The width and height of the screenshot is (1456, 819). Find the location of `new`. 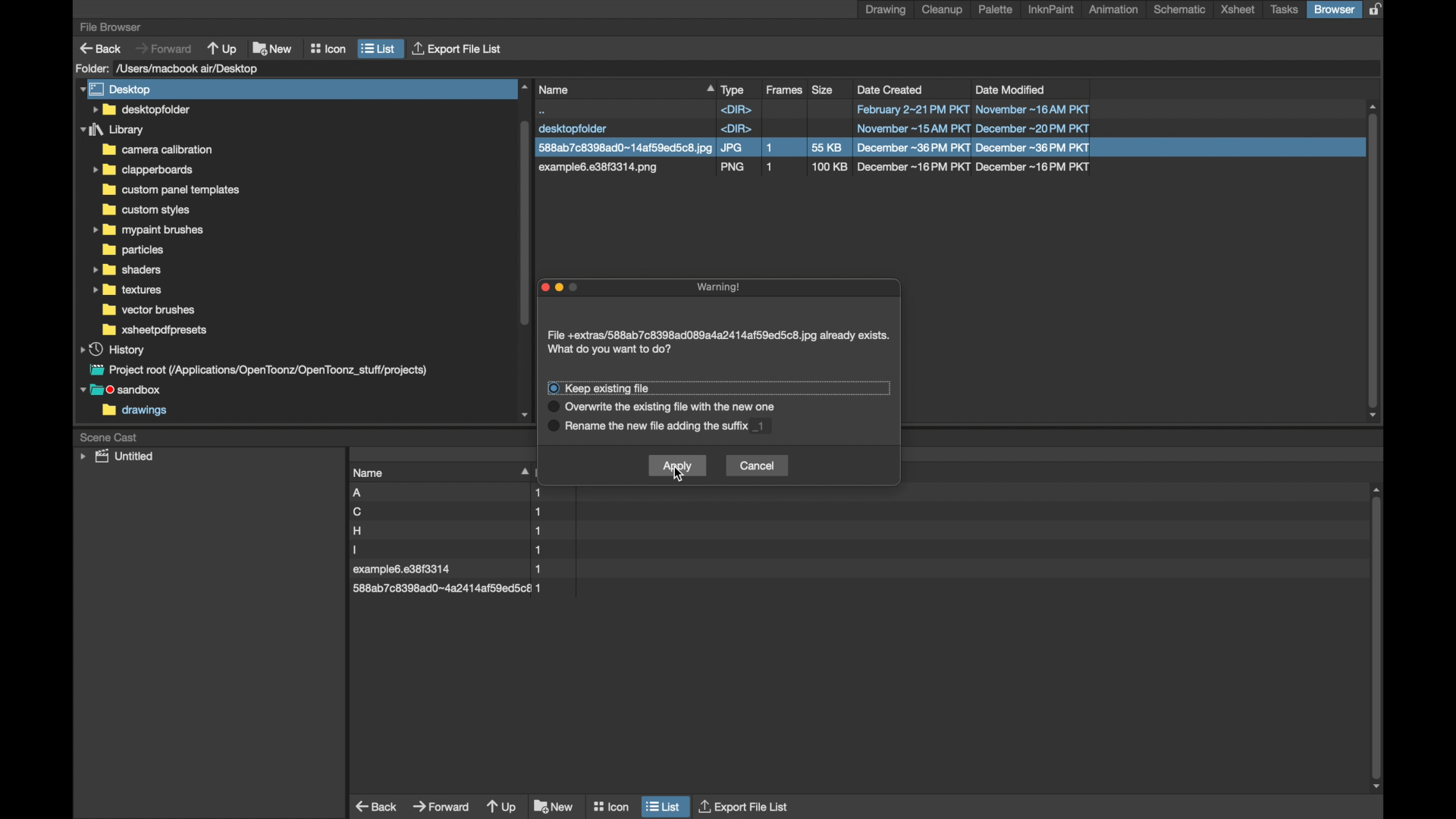

new is located at coordinates (554, 806).